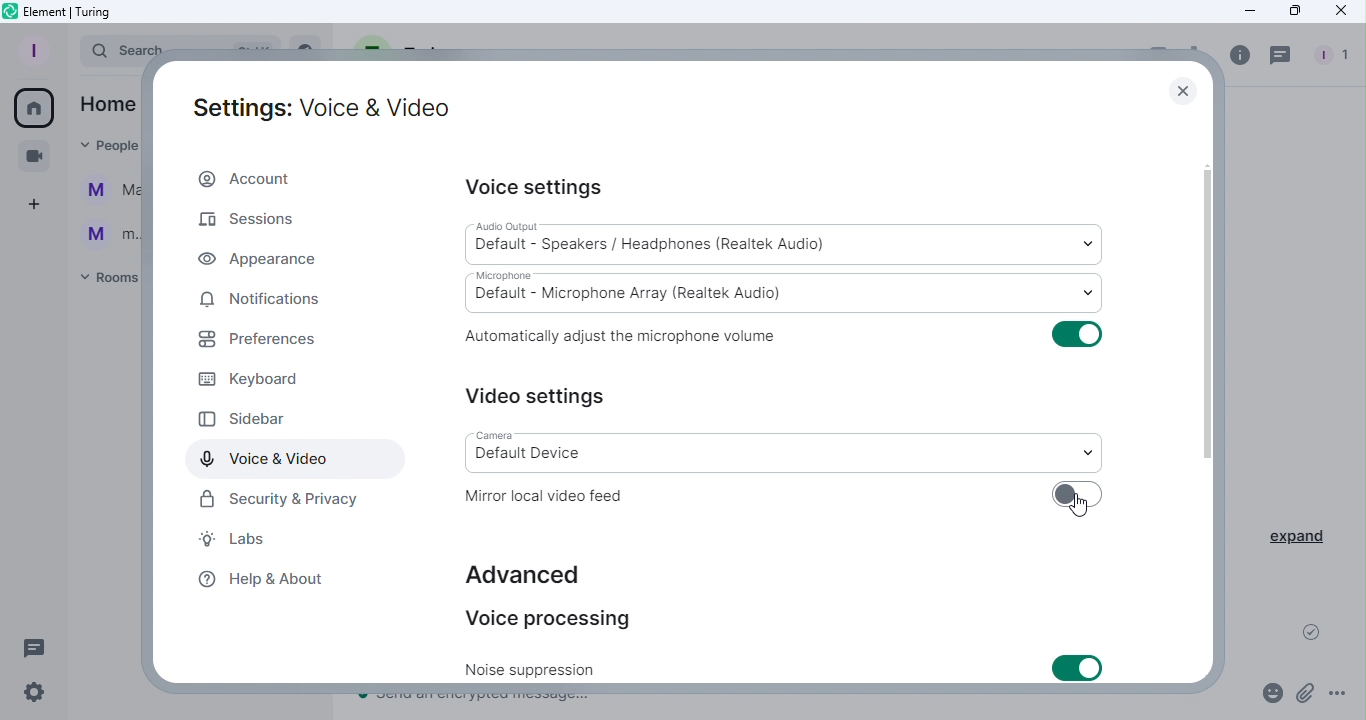  What do you see at coordinates (549, 495) in the screenshot?
I see `Mirror local video feed` at bounding box center [549, 495].